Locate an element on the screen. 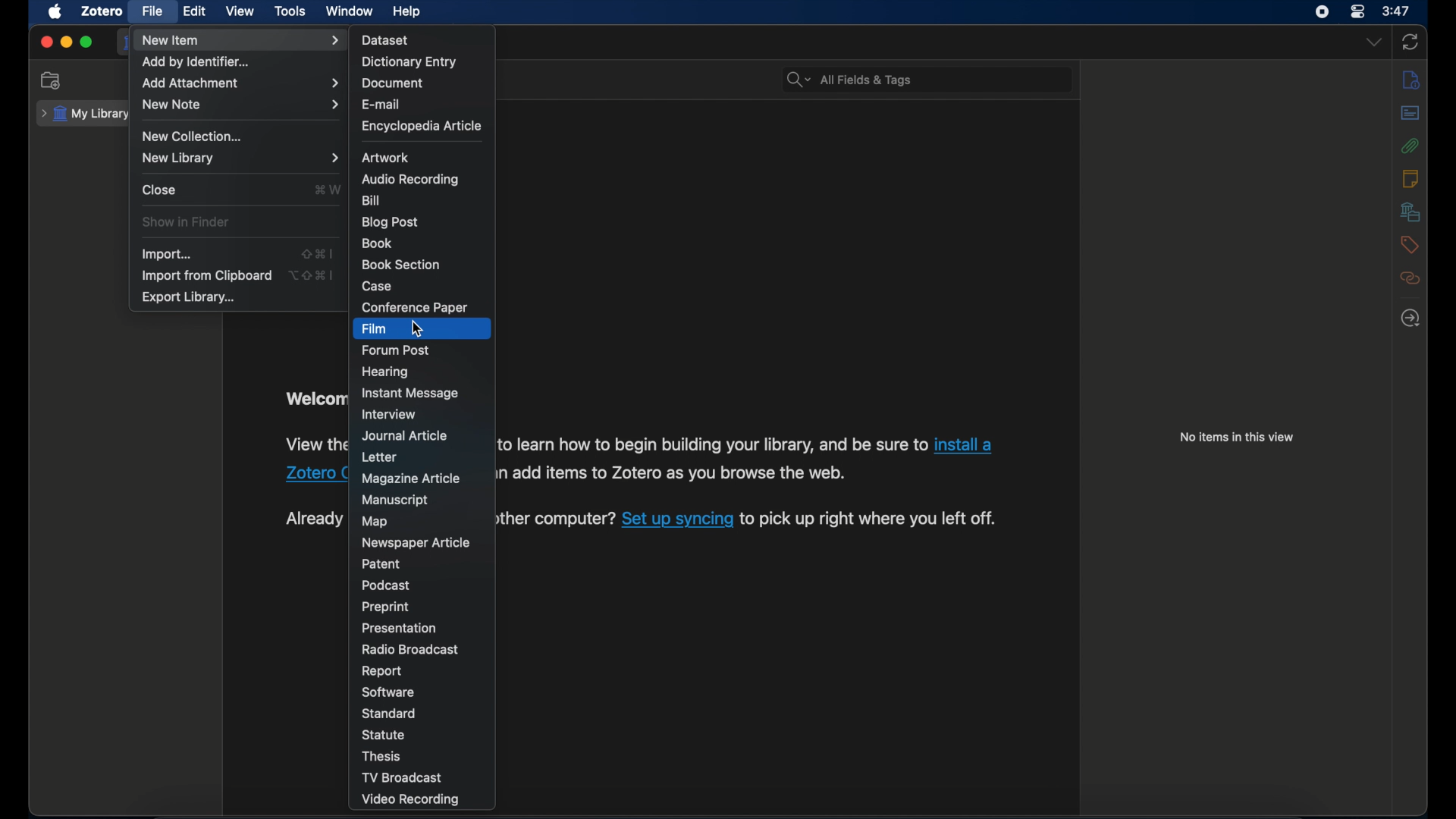 Image resolution: width=1456 pixels, height=819 pixels. film is located at coordinates (373, 329).